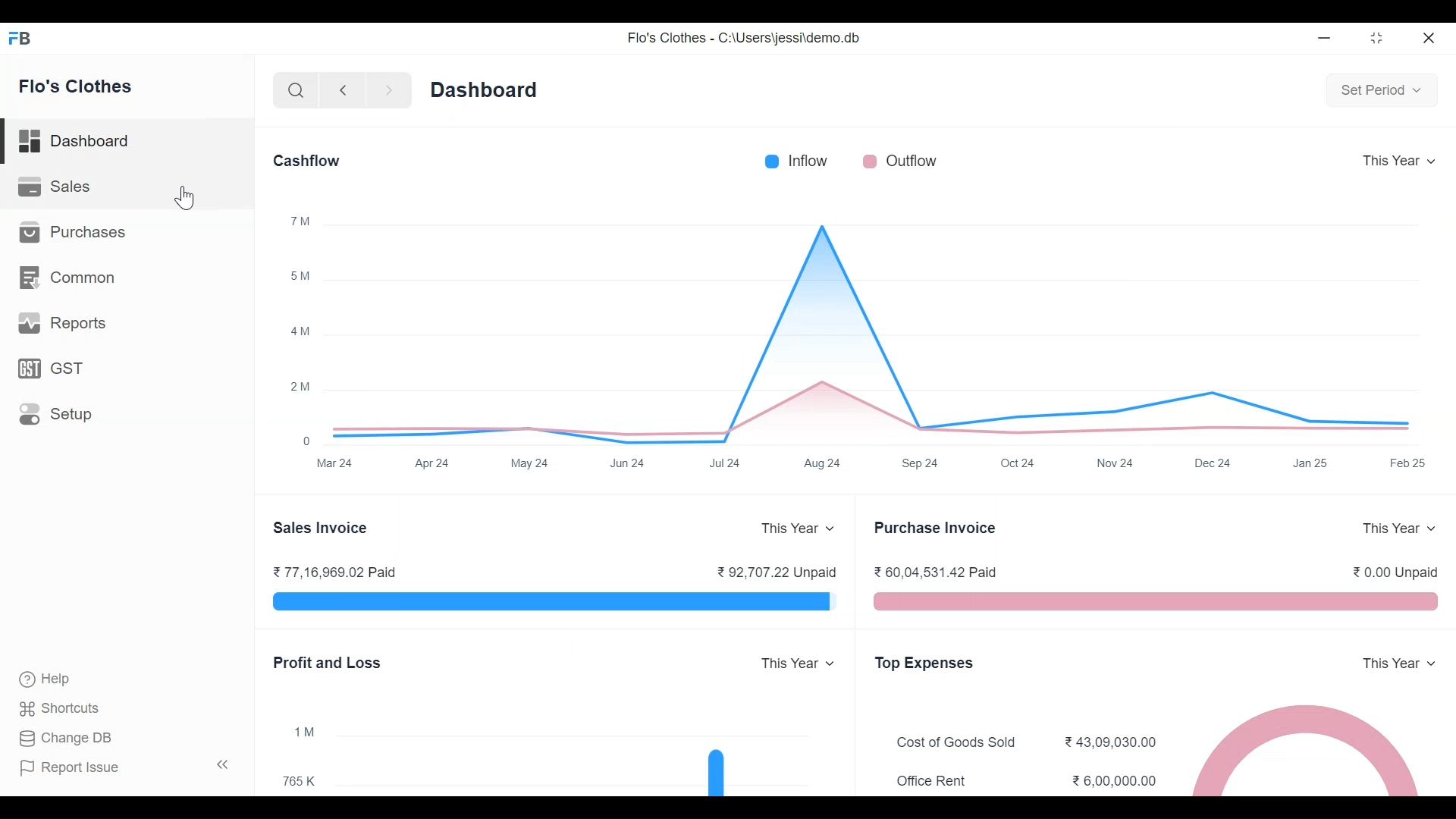  I want to click on May 24, so click(529, 463).